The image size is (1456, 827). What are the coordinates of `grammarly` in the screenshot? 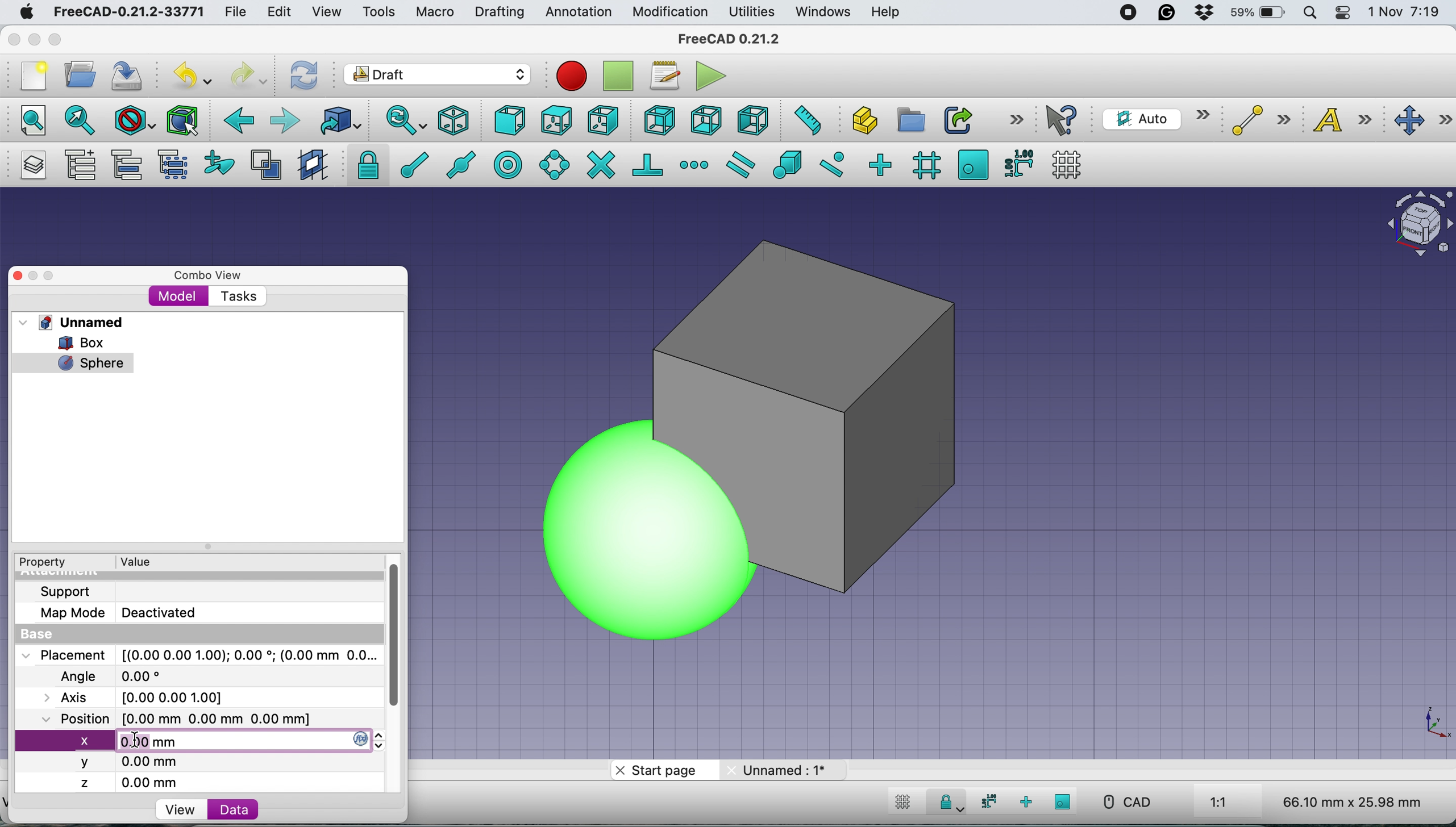 It's located at (1167, 12).